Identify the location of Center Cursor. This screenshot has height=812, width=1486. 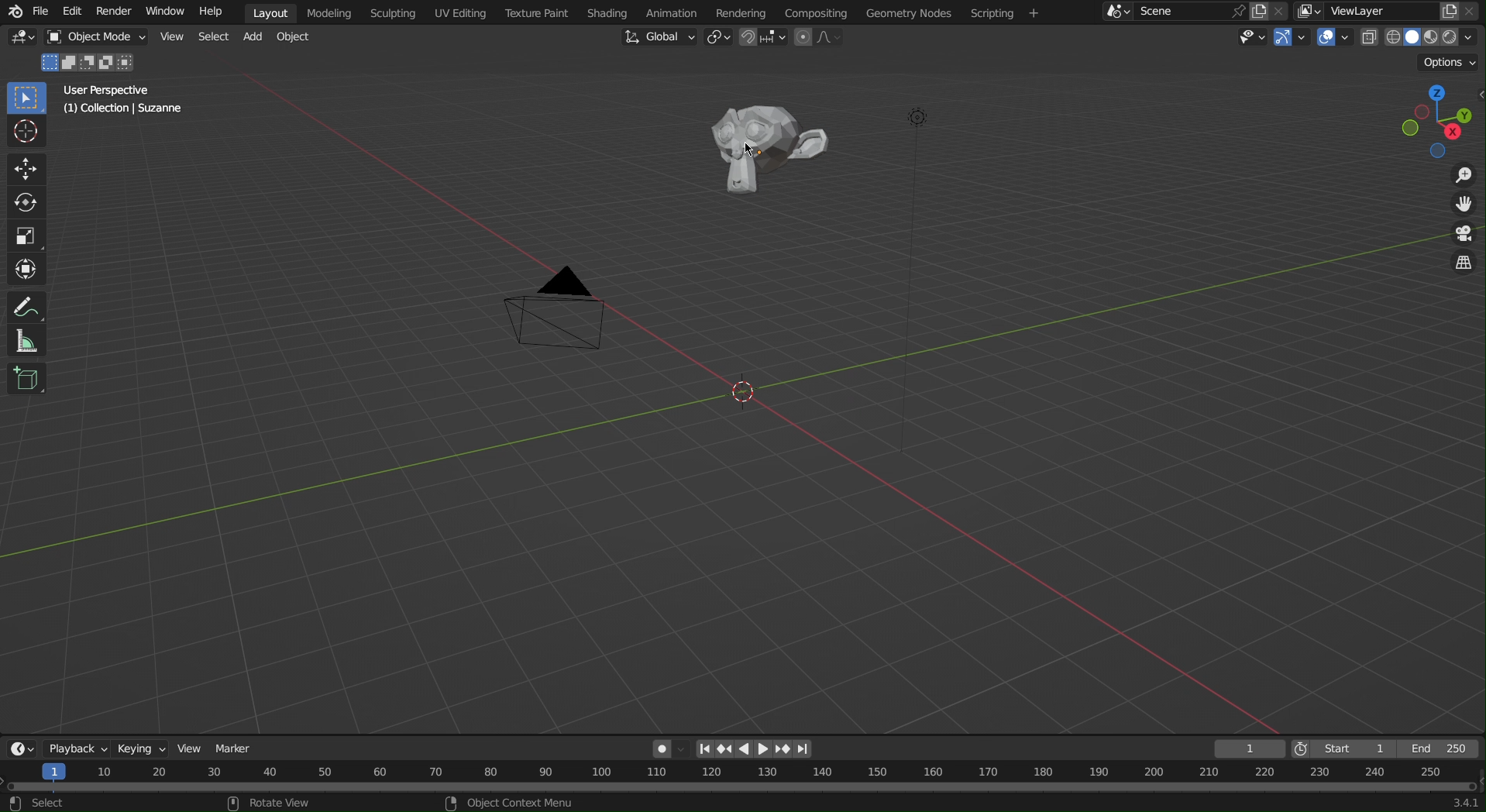
(745, 396).